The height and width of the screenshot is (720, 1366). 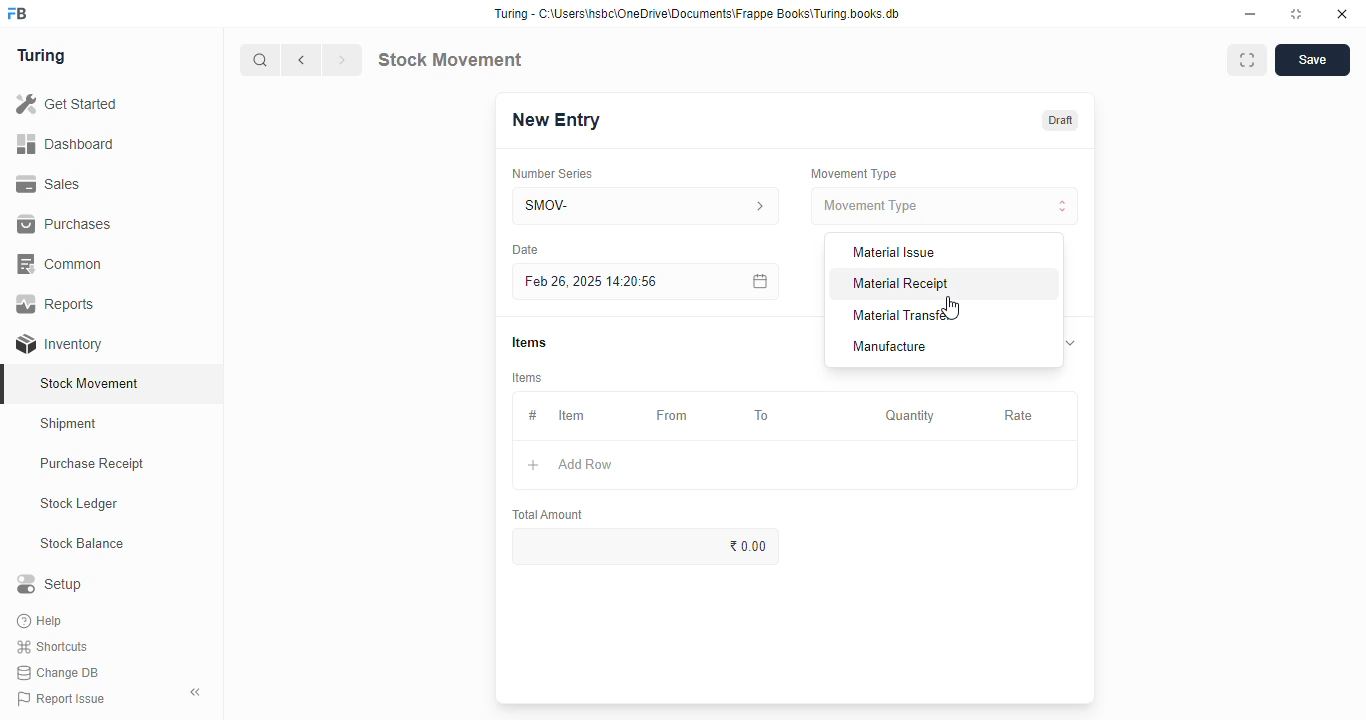 What do you see at coordinates (65, 145) in the screenshot?
I see `dashboard` at bounding box center [65, 145].